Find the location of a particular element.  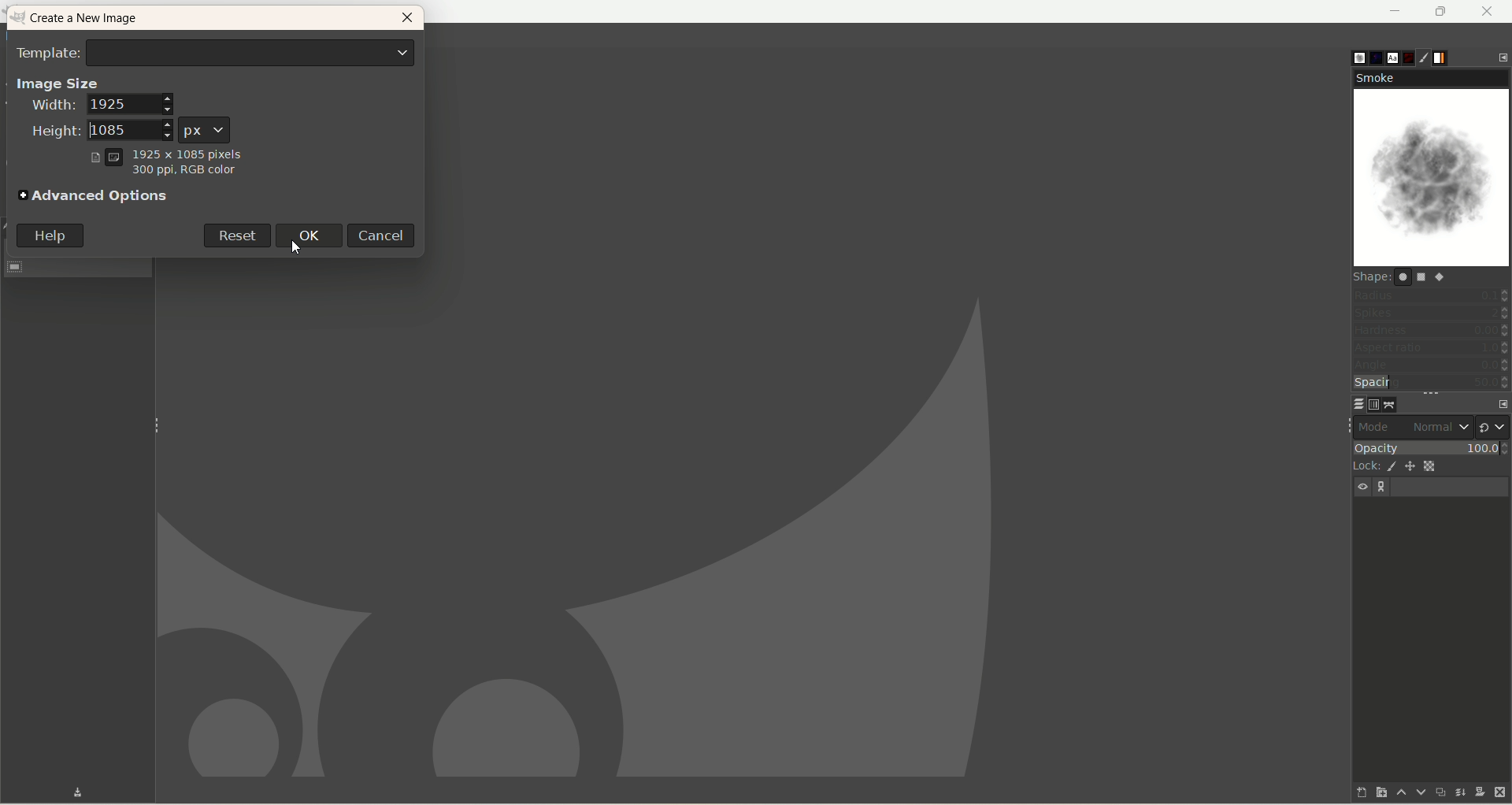

width is located at coordinates (101, 106).